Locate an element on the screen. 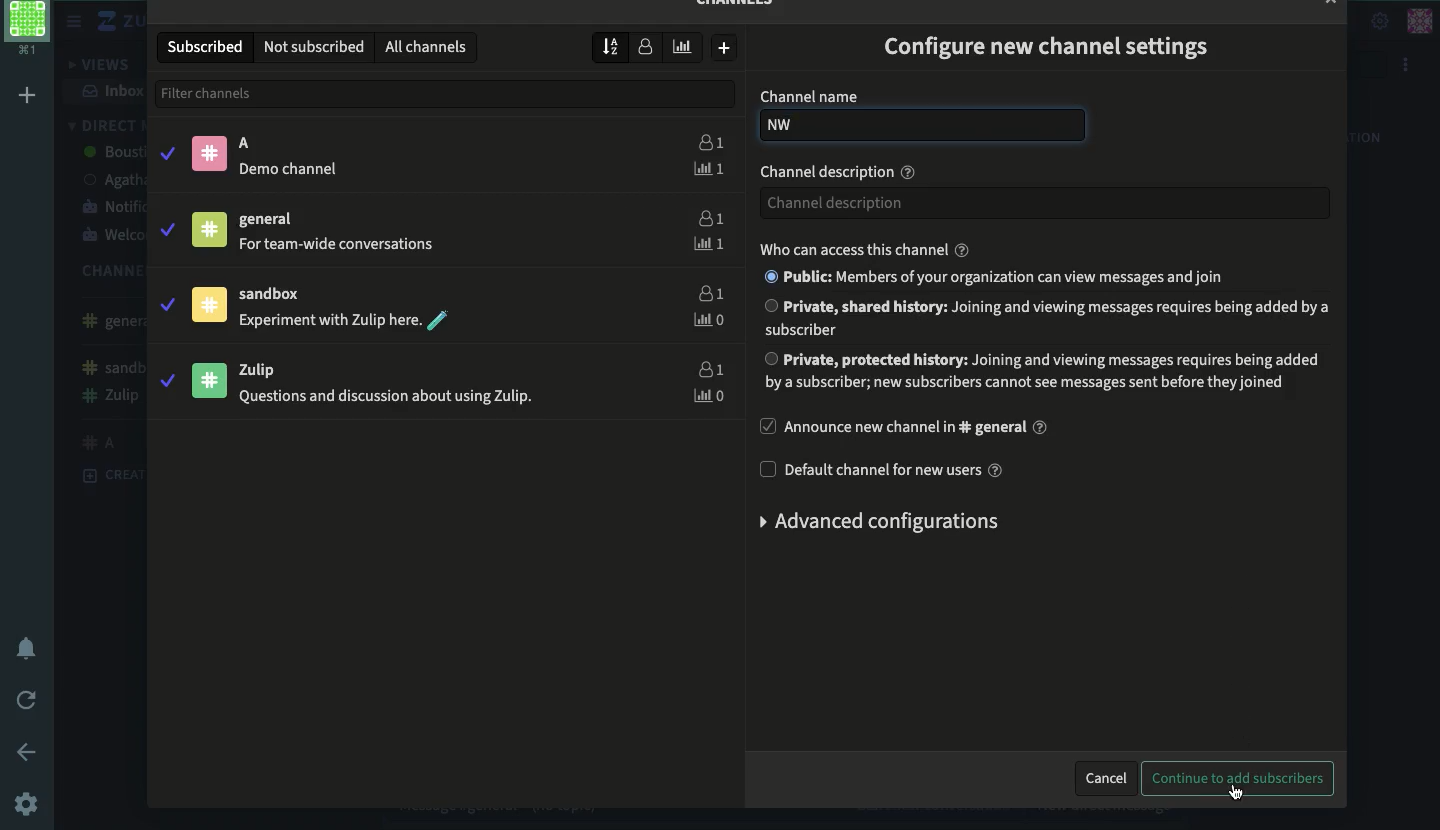 This screenshot has width=1440, height=830. channel description  is located at coordinates (850, 173).